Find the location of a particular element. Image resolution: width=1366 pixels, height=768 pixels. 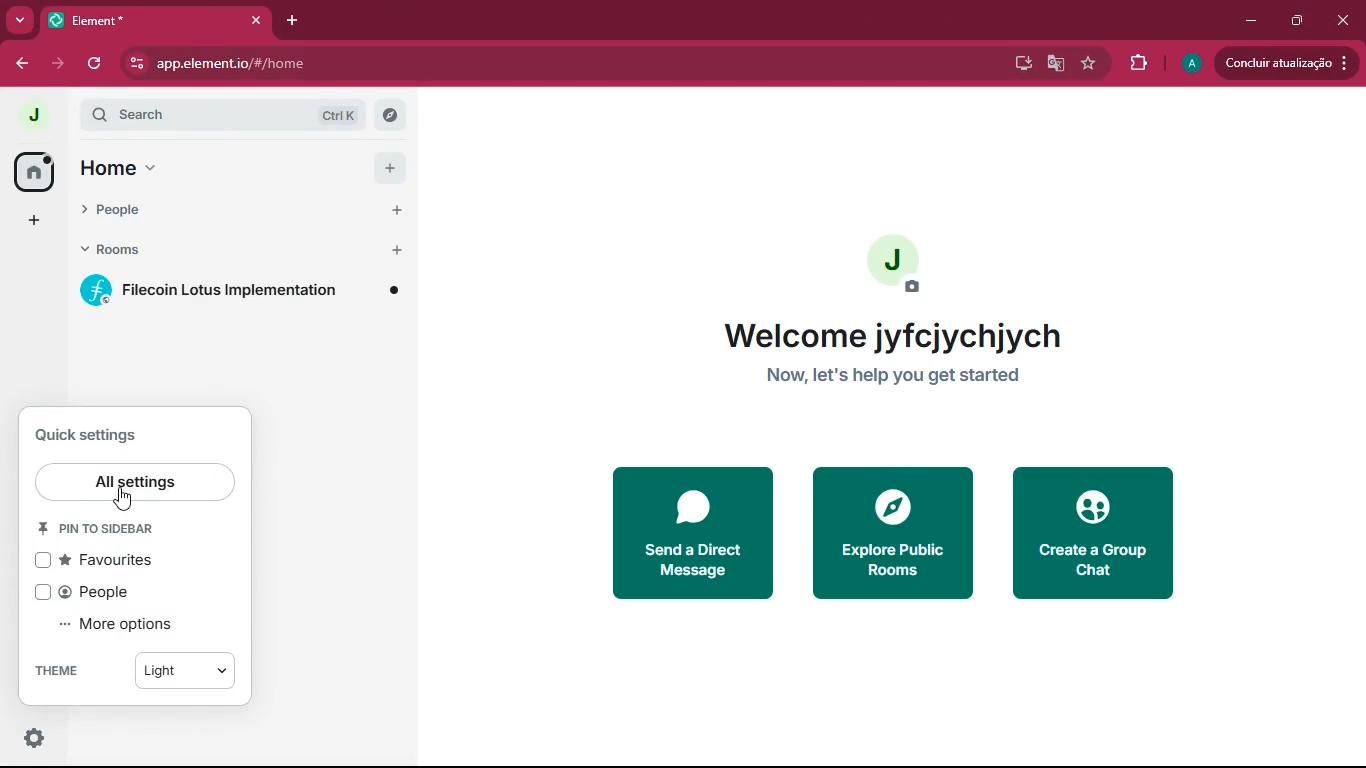

profile is located at coordinates (1188, 64).